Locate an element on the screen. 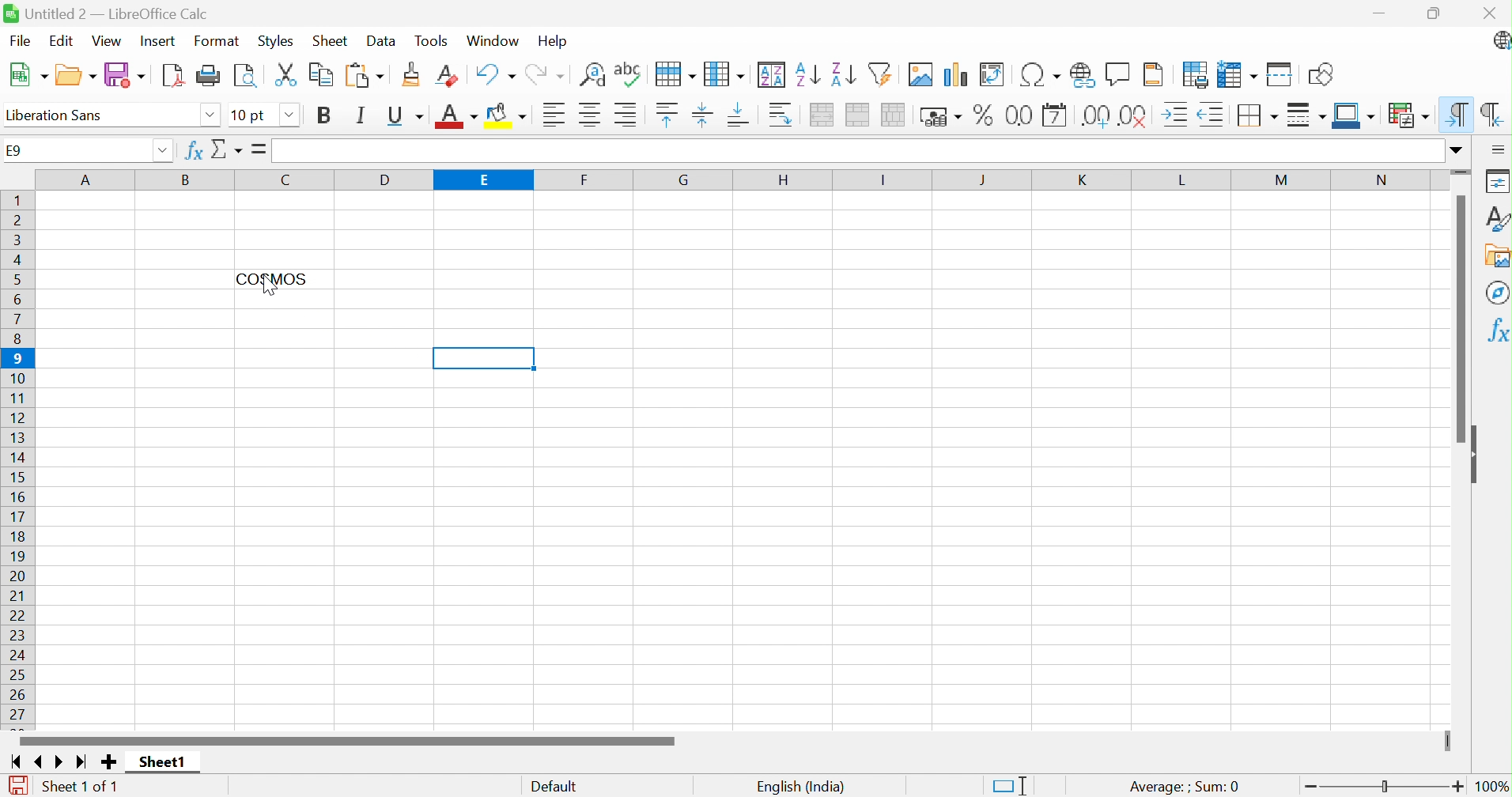 This screenshot has height=797, width=1512. Average: ; Sum:0 is located at coordinates (1182, 788).